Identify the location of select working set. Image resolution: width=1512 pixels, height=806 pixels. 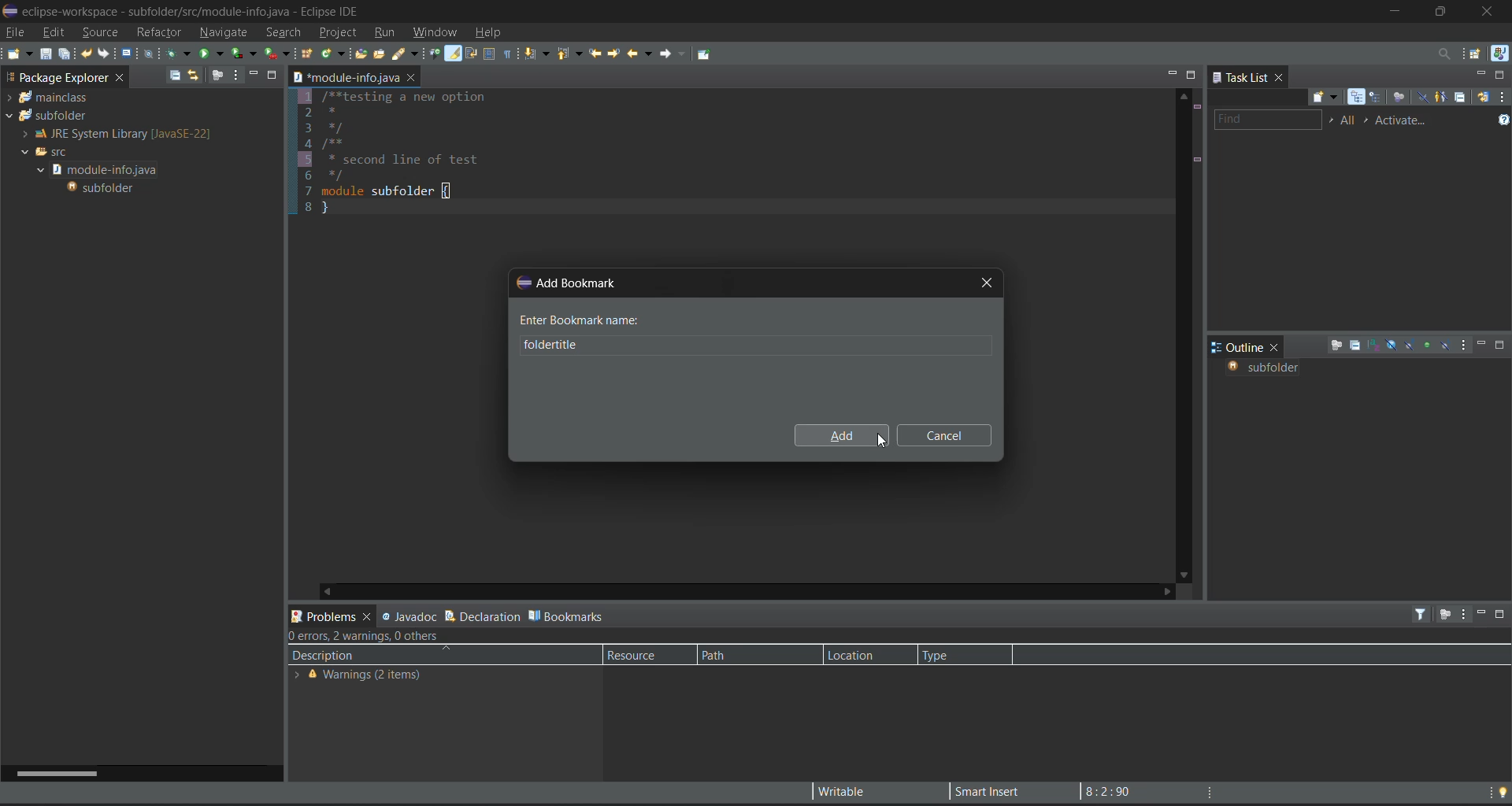
(1331, 120).